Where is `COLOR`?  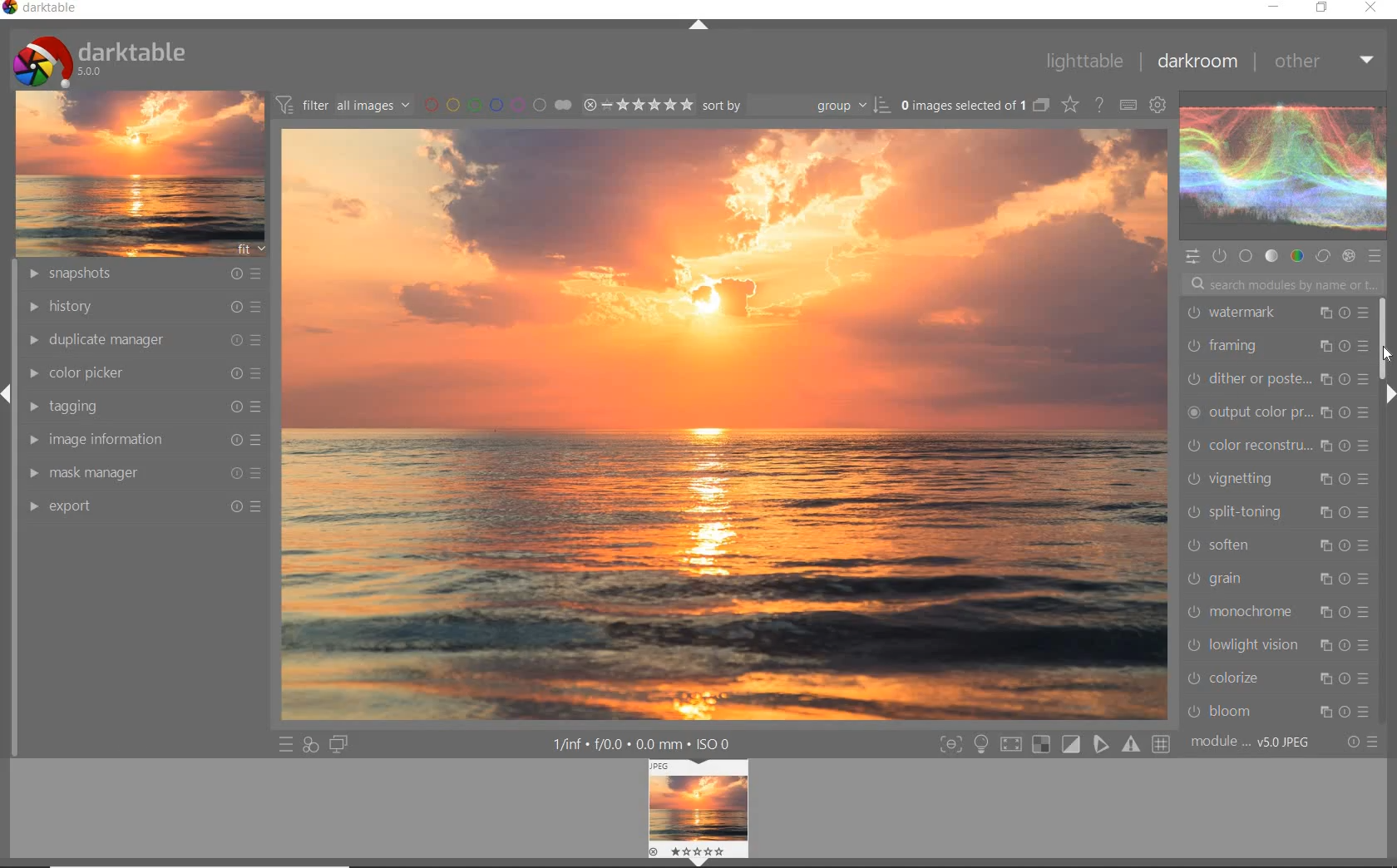 COLOR is located at coordinates (1295, 256).